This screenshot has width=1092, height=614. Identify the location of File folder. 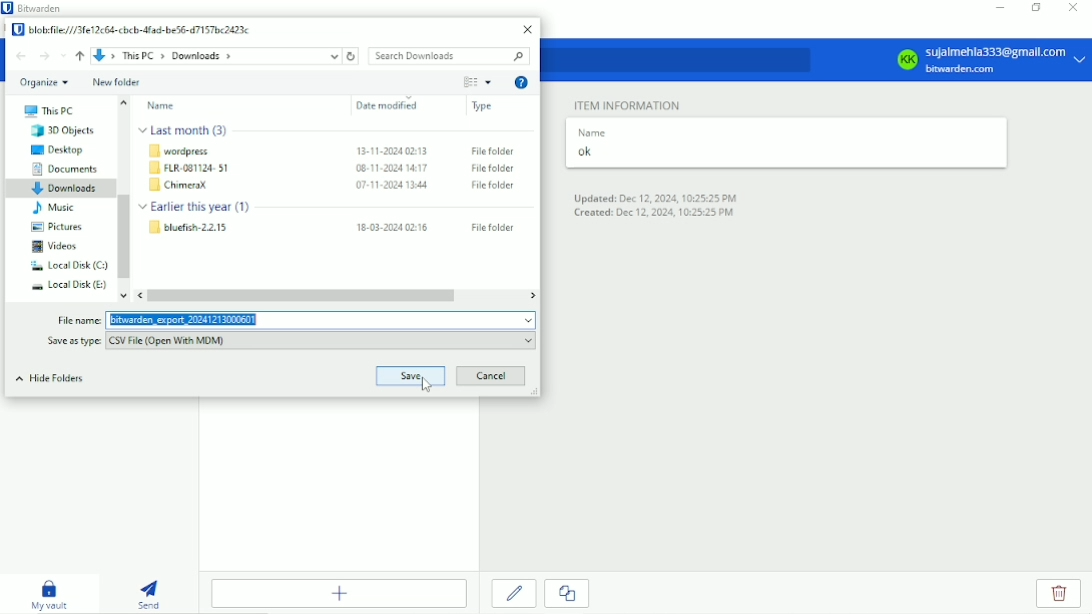
(492, 168).